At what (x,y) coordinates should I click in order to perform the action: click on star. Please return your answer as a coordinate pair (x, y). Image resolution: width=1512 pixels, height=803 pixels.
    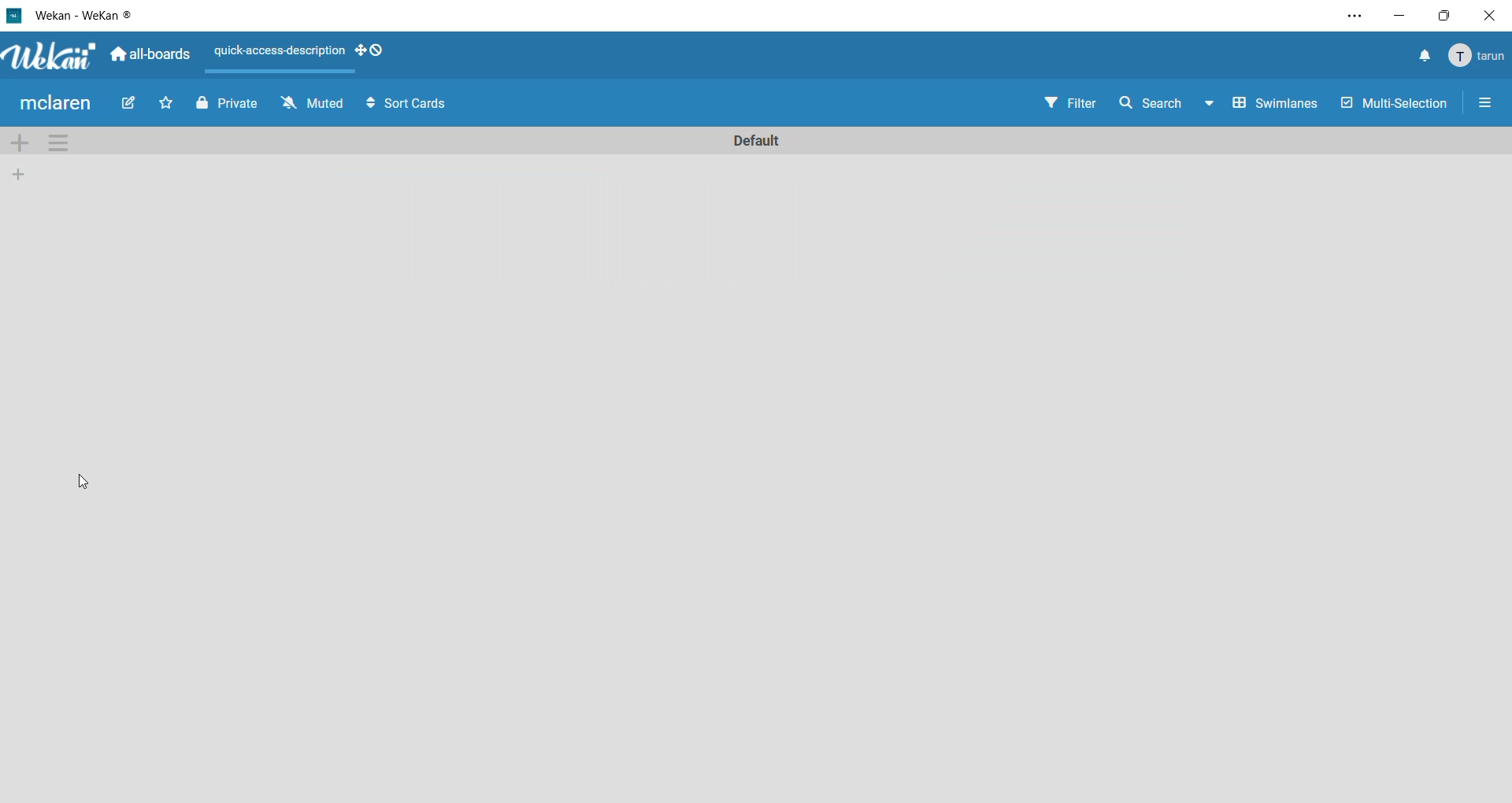
    Looking at the image, I should click on (169, 104).